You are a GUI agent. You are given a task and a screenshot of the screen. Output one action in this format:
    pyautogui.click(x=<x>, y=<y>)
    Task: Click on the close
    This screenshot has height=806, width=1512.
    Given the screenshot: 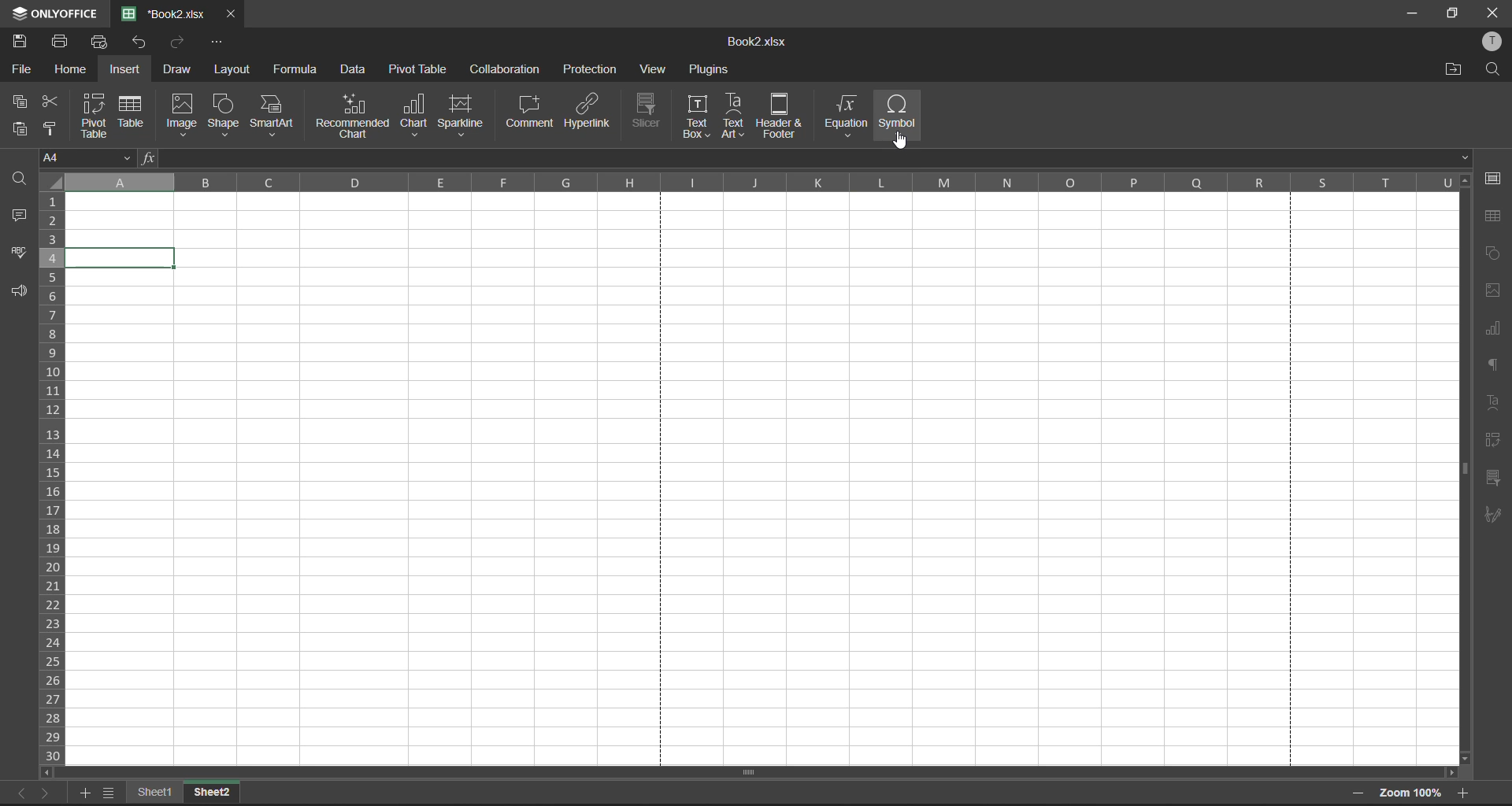 What is the action you would take?
    pyautogui.click(x=232, y=13)
    